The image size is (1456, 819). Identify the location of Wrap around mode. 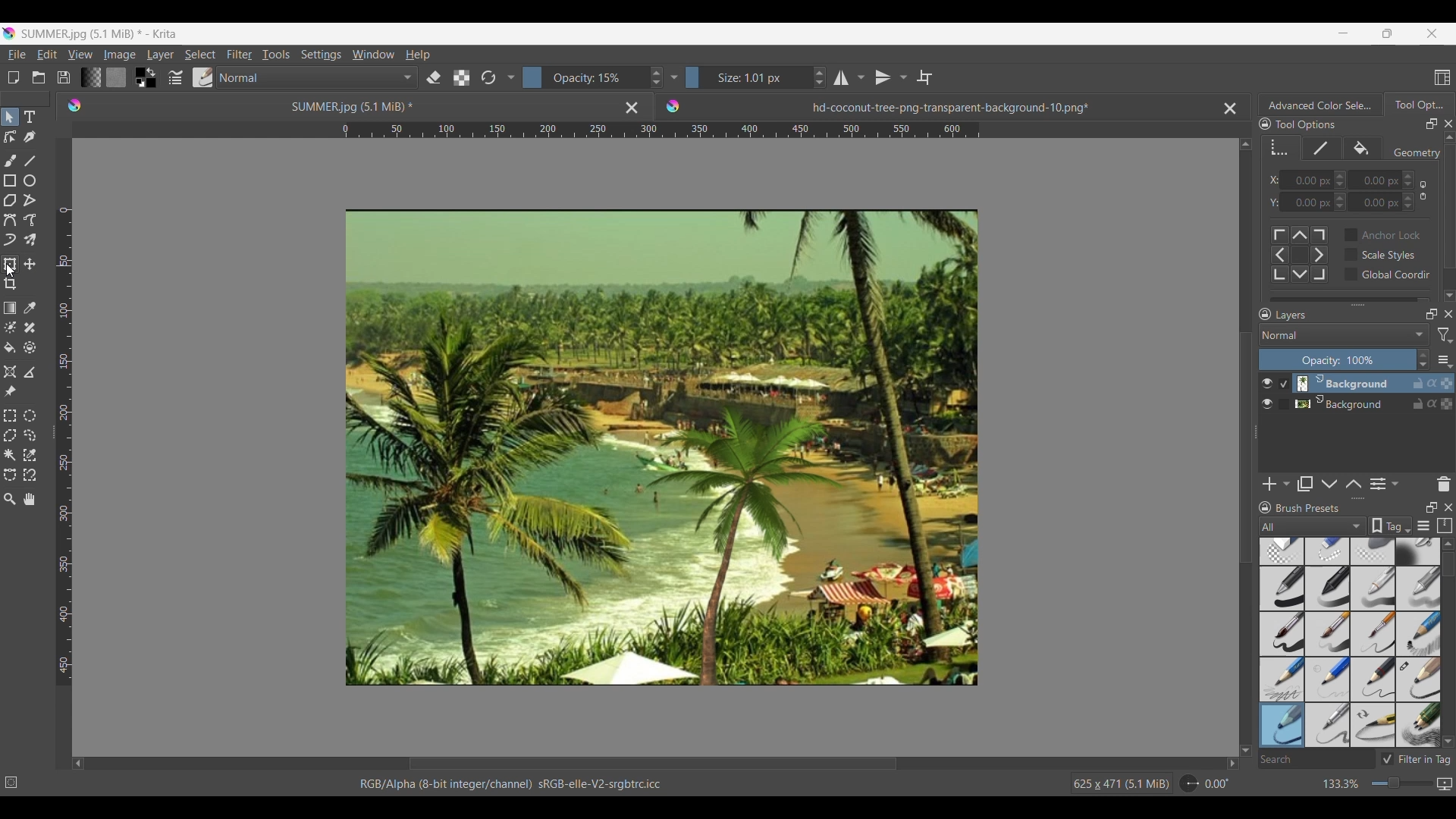
(924, 77).